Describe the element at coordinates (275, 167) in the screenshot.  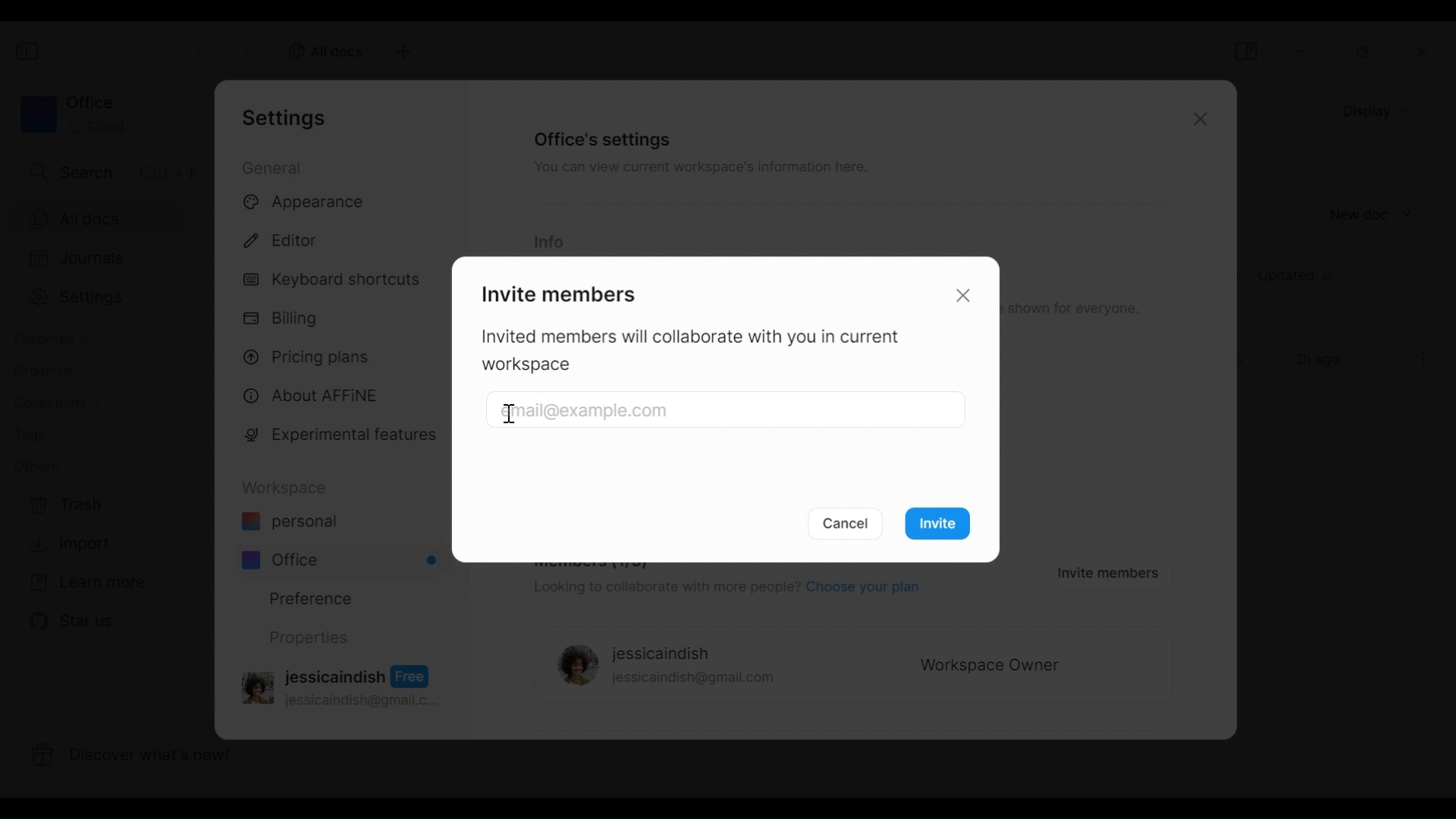
I see `General` at that location.